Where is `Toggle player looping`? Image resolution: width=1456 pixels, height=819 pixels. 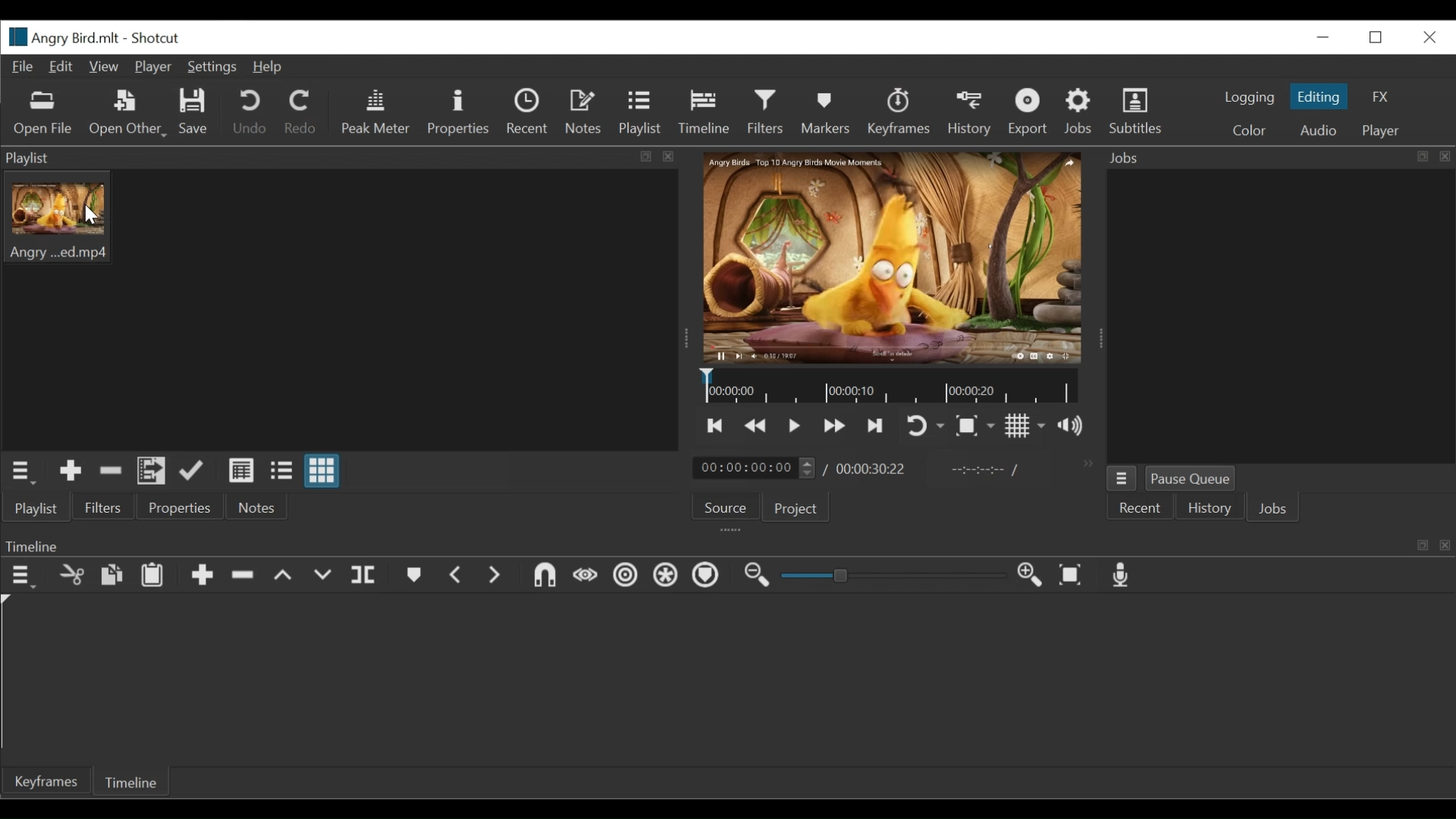 Toggle player looping is located at coordinates (925, 427).